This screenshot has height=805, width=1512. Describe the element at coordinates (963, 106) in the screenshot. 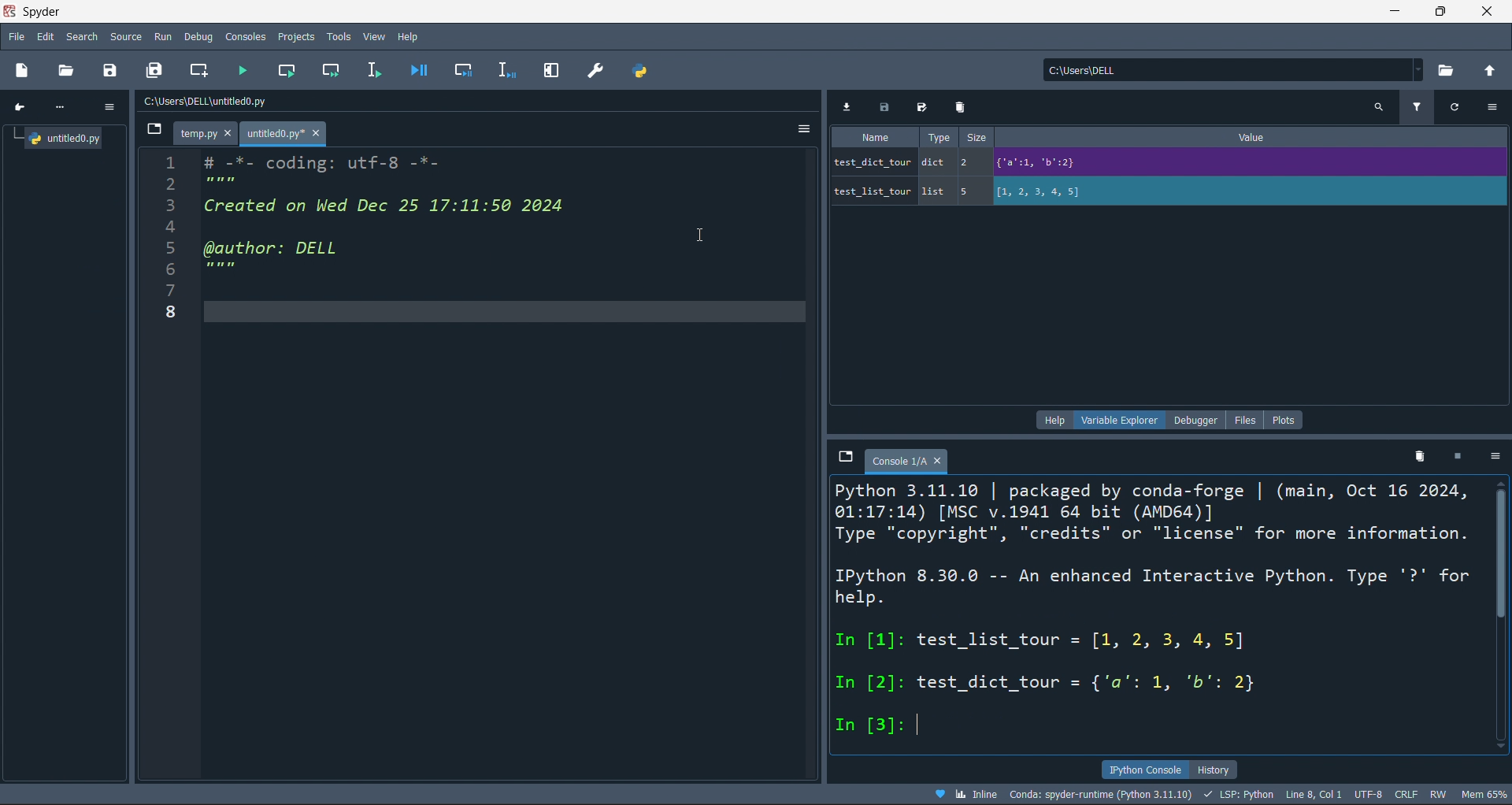

I see `delete` at that location.